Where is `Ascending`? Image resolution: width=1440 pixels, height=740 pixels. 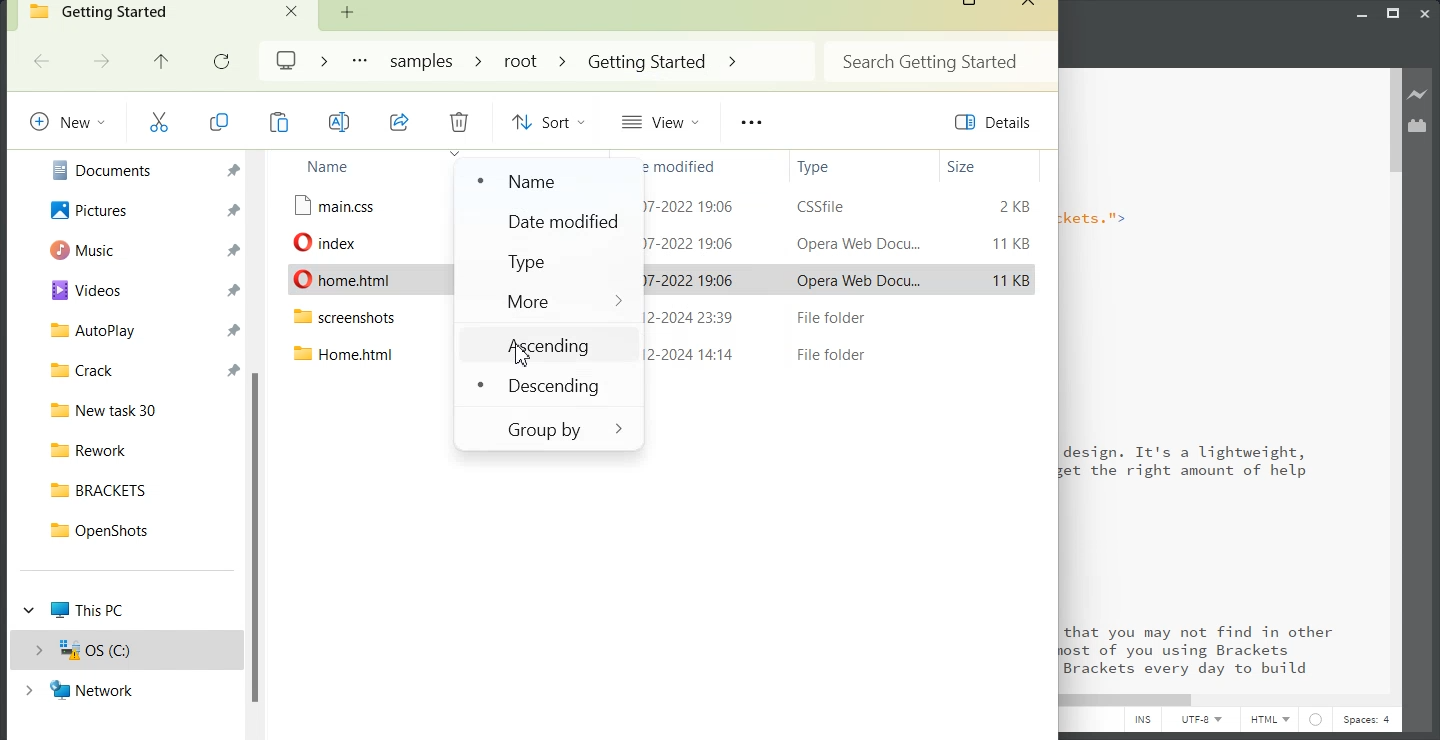 Ascending is located at coordinates (547, 345).